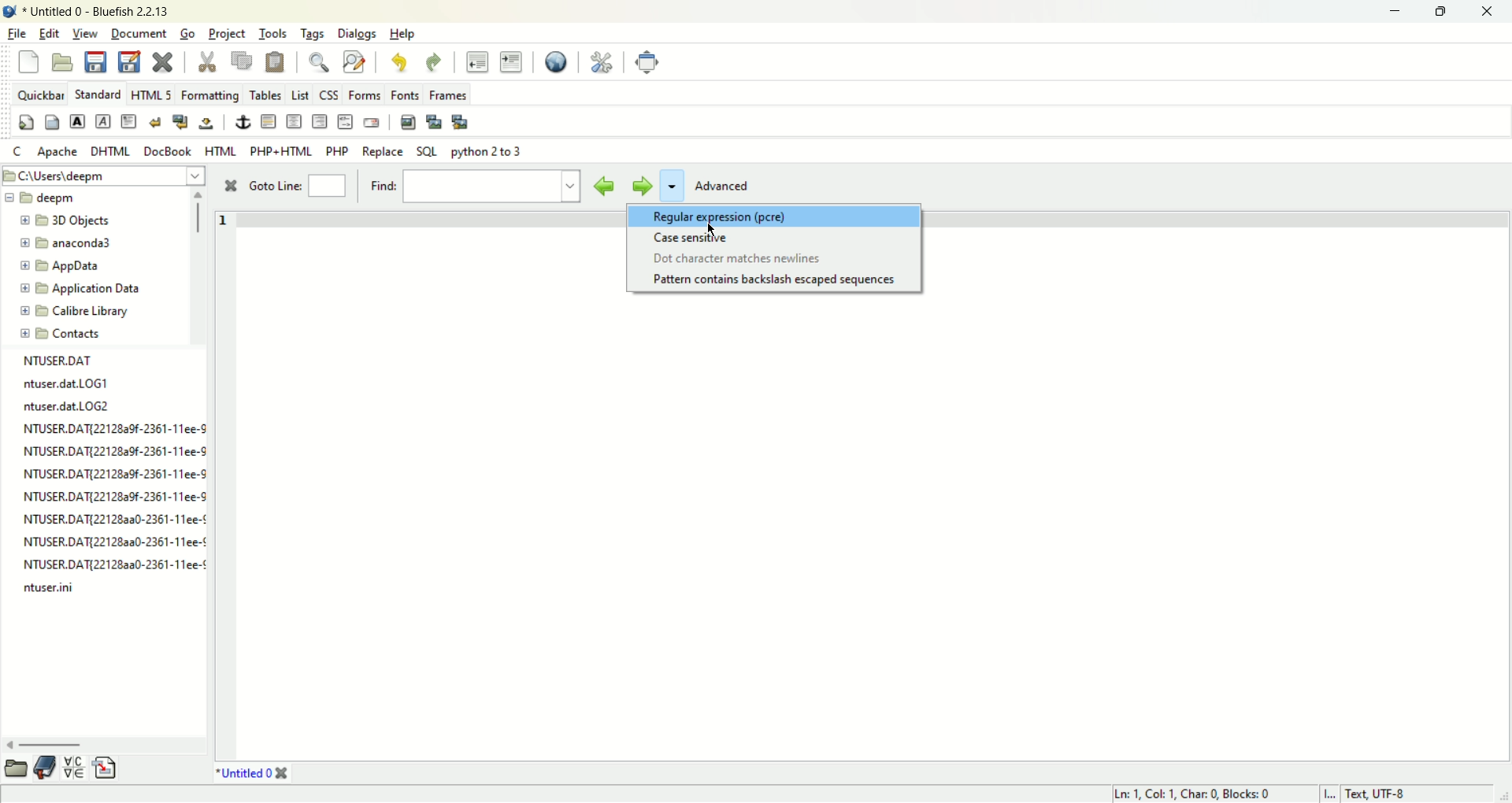  Describe the element at coordinates (40, 94) in the screenshot. I see `quickbar` at that location.